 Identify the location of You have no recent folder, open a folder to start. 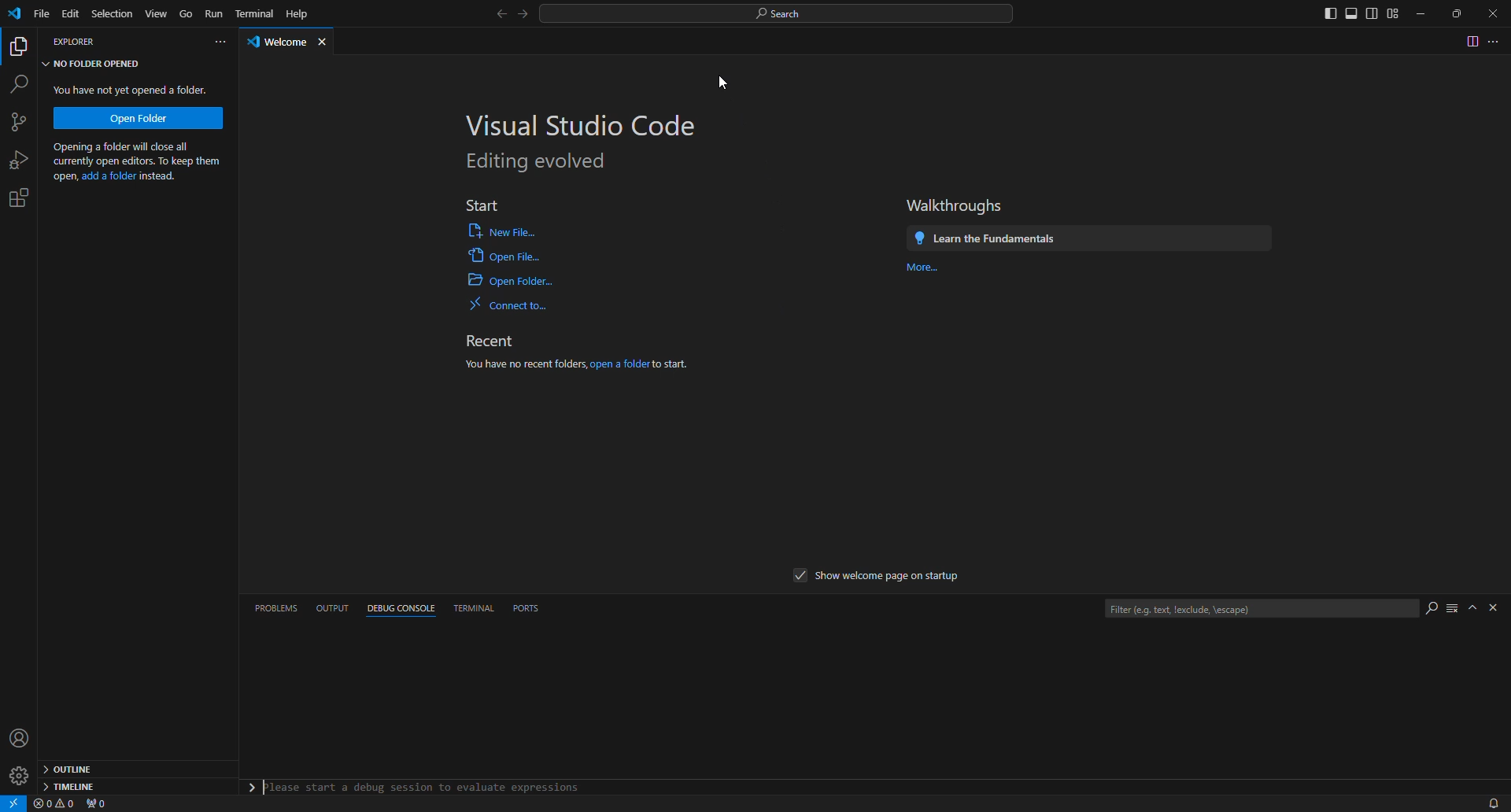
(572, 373).